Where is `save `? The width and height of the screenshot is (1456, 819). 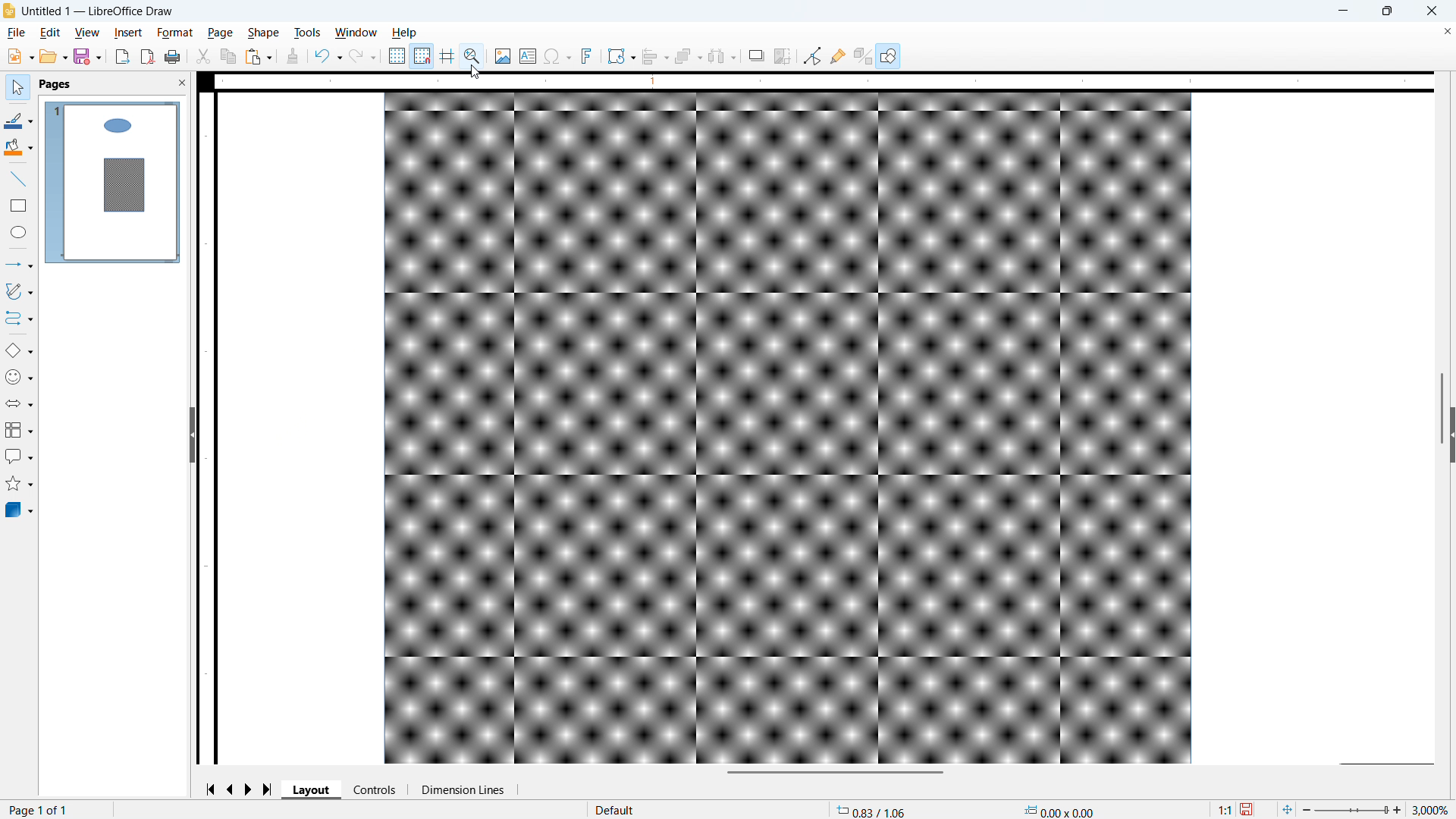 save  is located at coordinates (87, 57).